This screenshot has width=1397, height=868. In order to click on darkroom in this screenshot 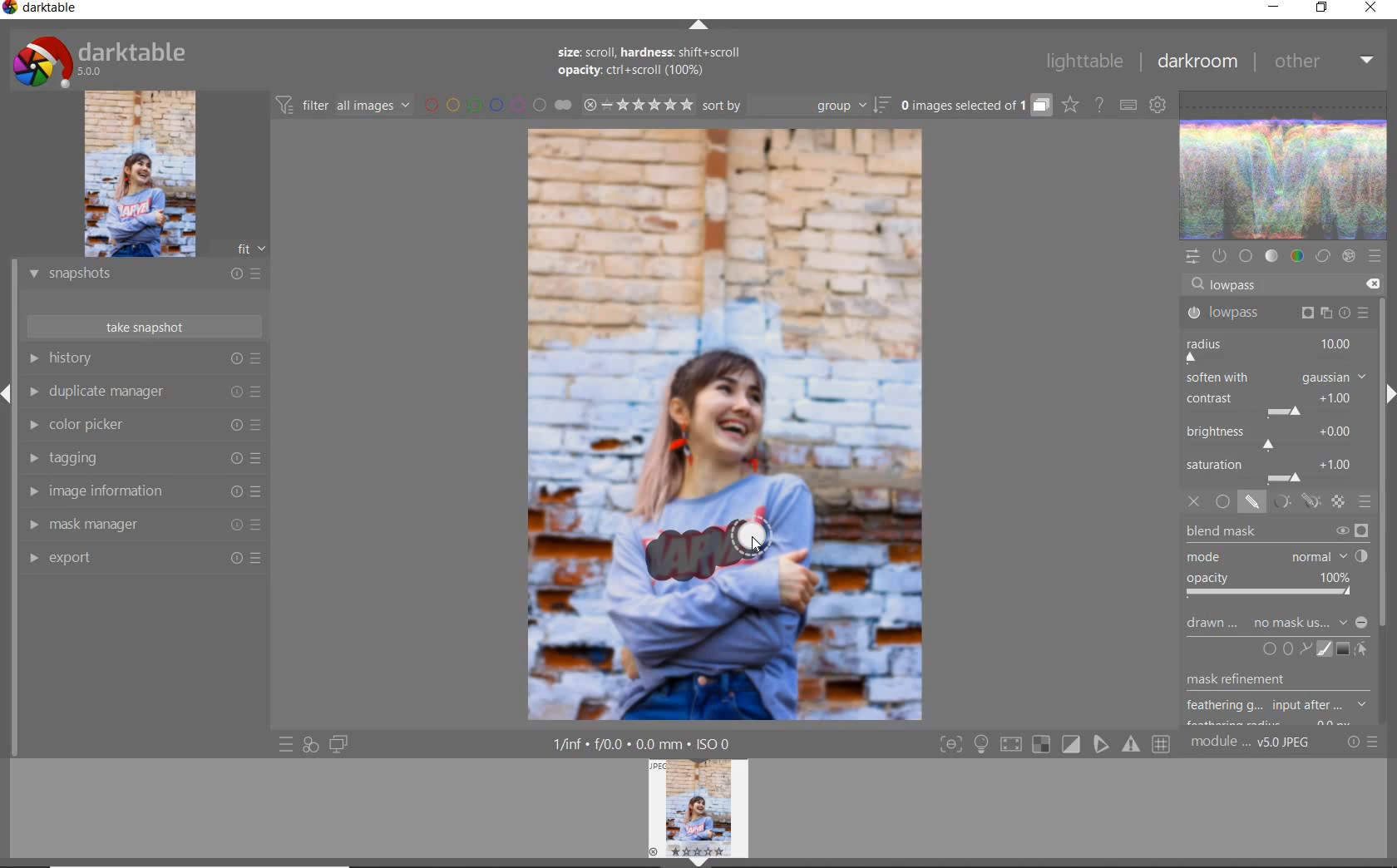, I will do `click(1197, 62)`.